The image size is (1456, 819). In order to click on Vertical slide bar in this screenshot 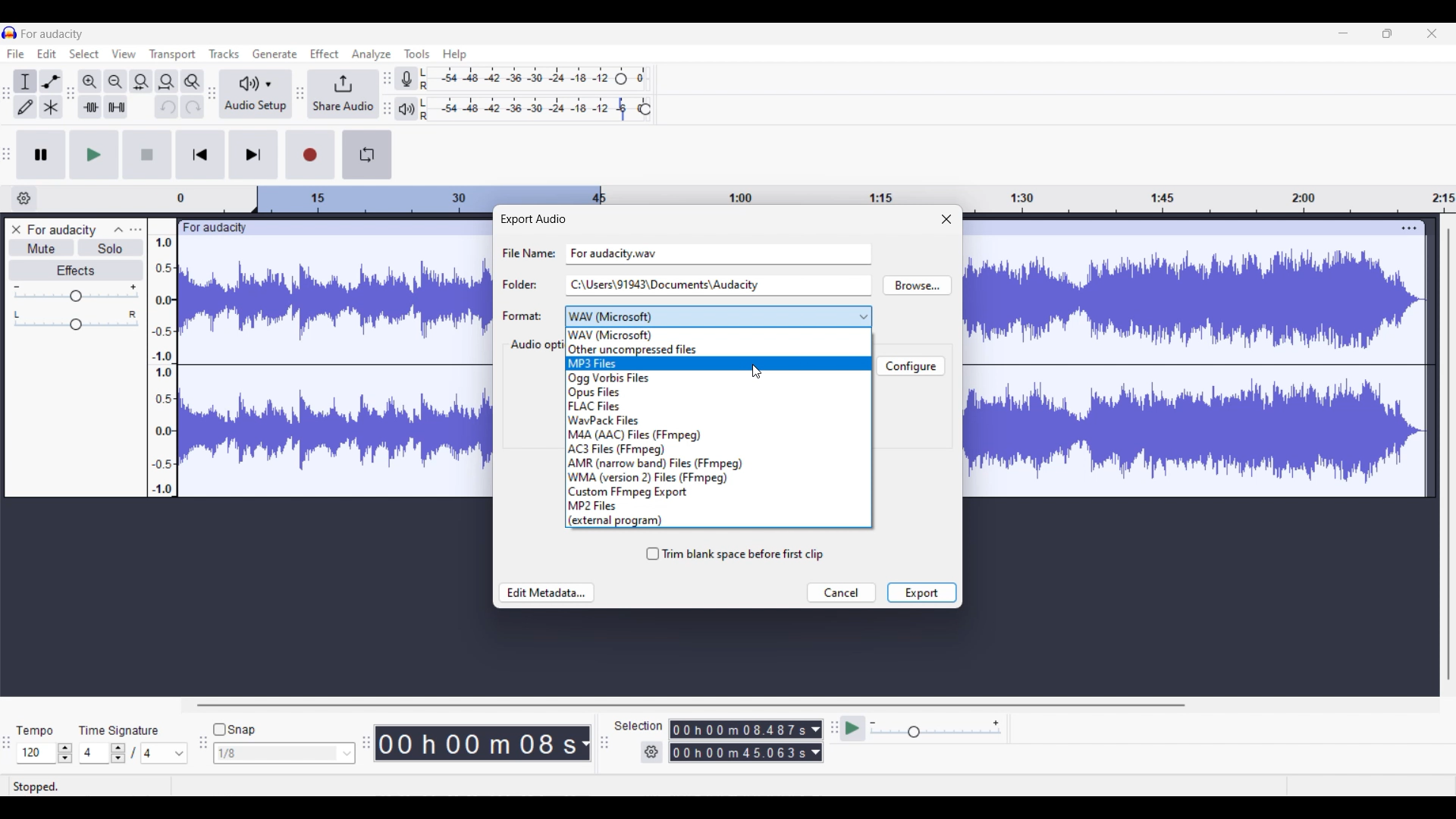, I will do `click(1449, 454)`.